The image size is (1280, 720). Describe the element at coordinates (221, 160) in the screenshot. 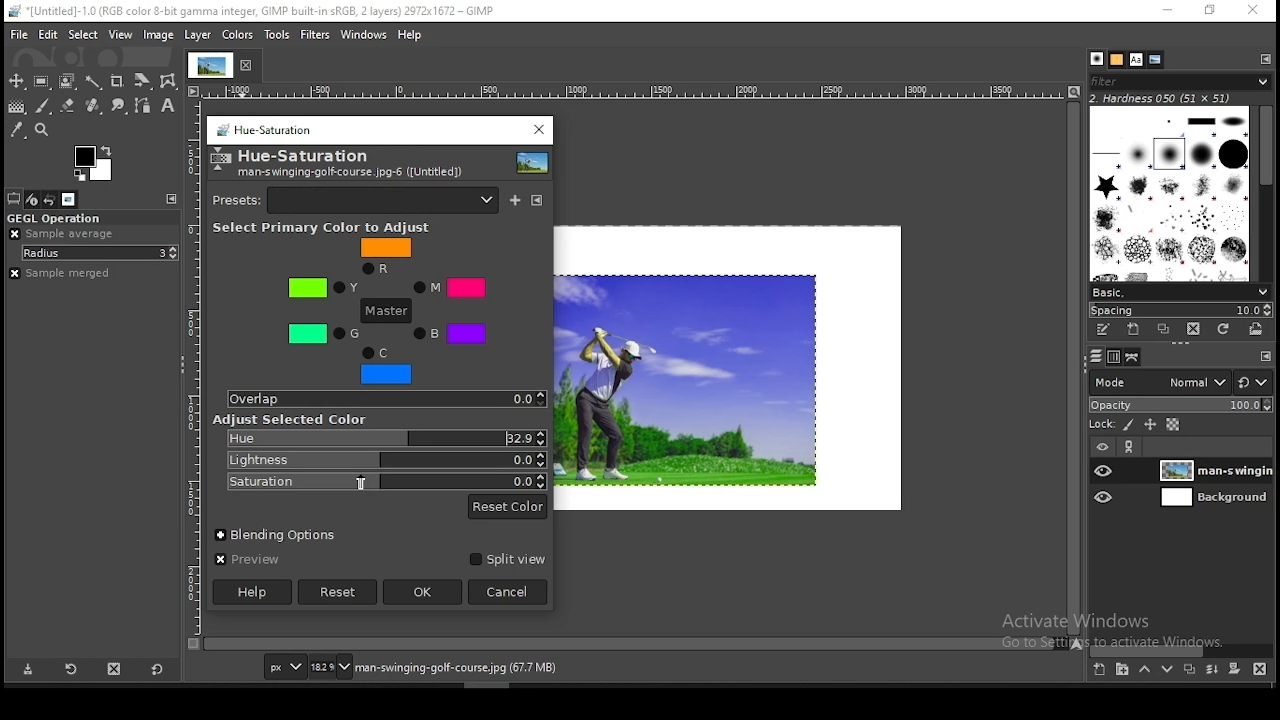

I see `logo` at that location.